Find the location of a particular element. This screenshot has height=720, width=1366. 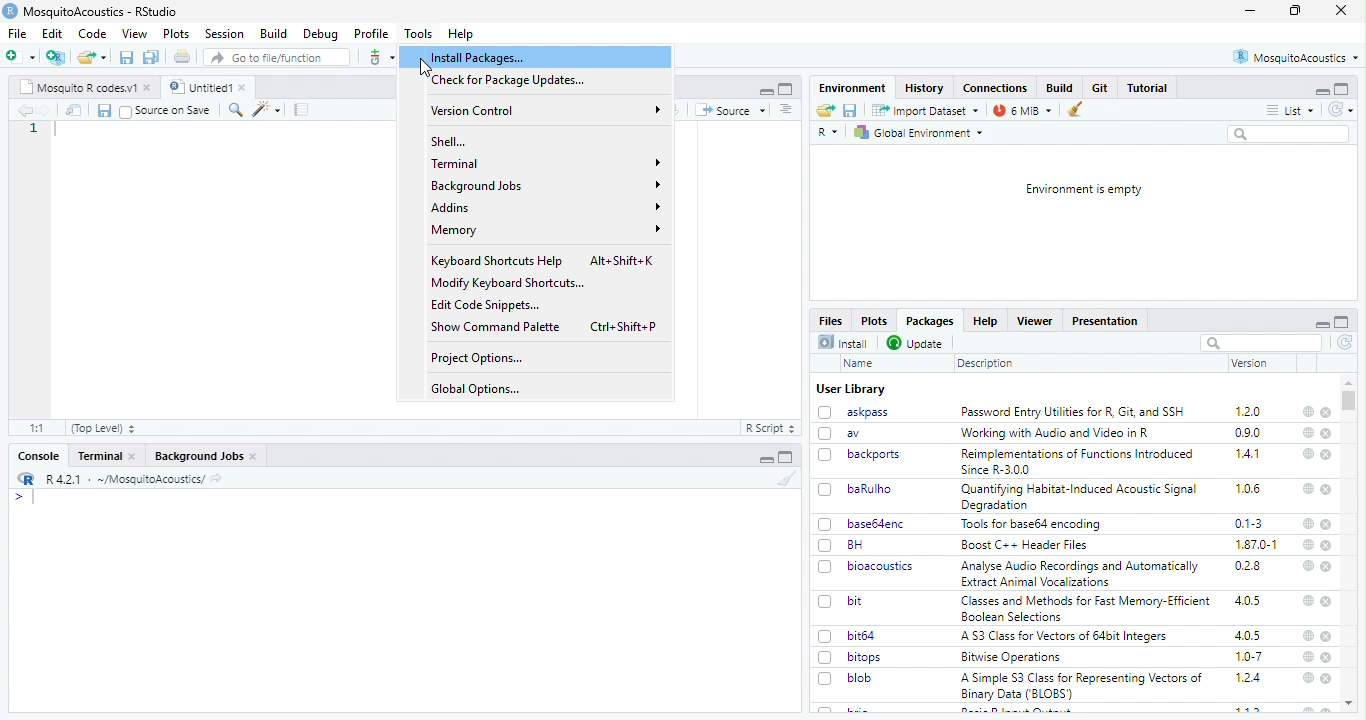

share is located at coordinates (216, 480).